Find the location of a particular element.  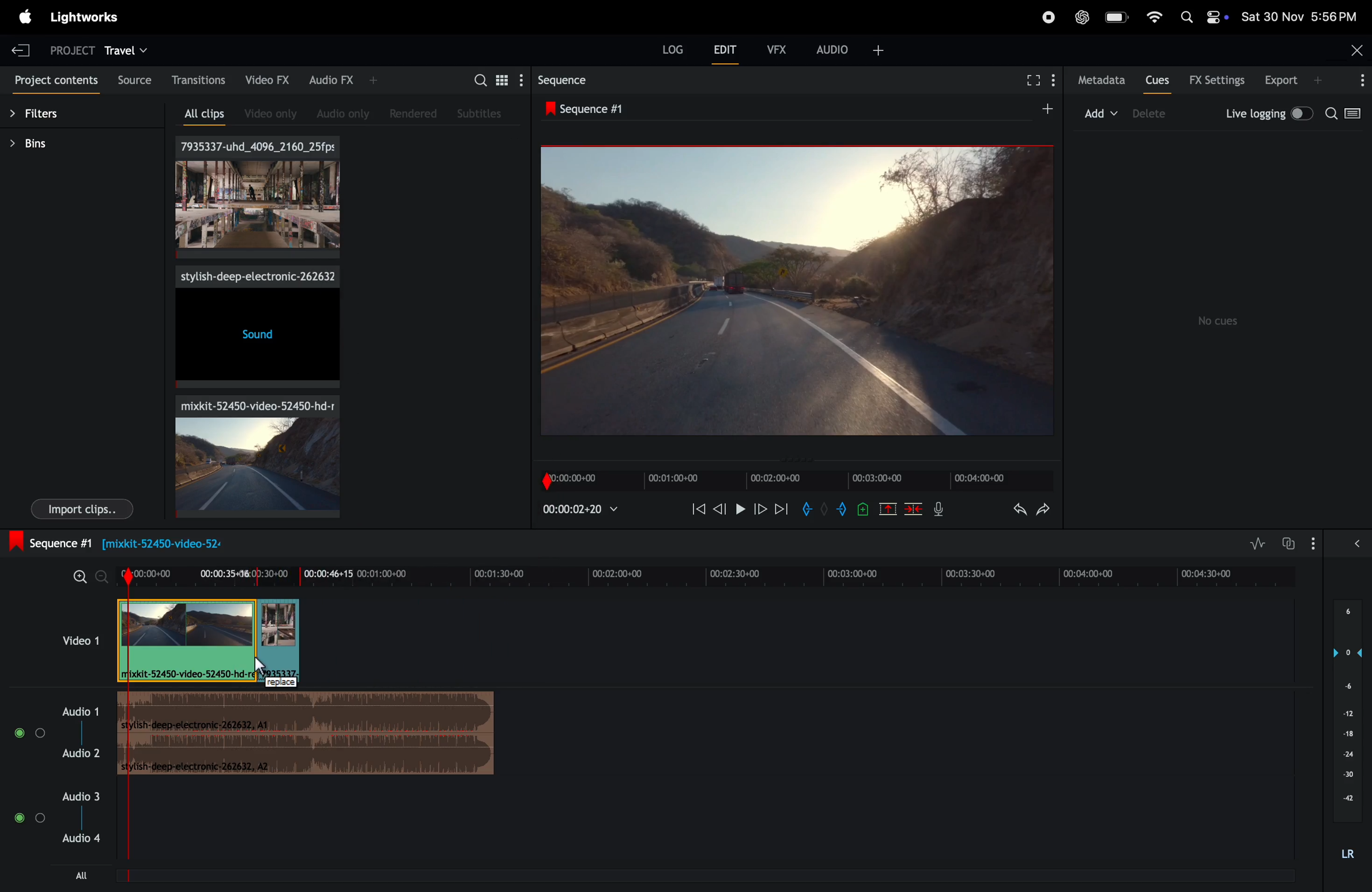

subtitles is located at coordinates (480, 112).